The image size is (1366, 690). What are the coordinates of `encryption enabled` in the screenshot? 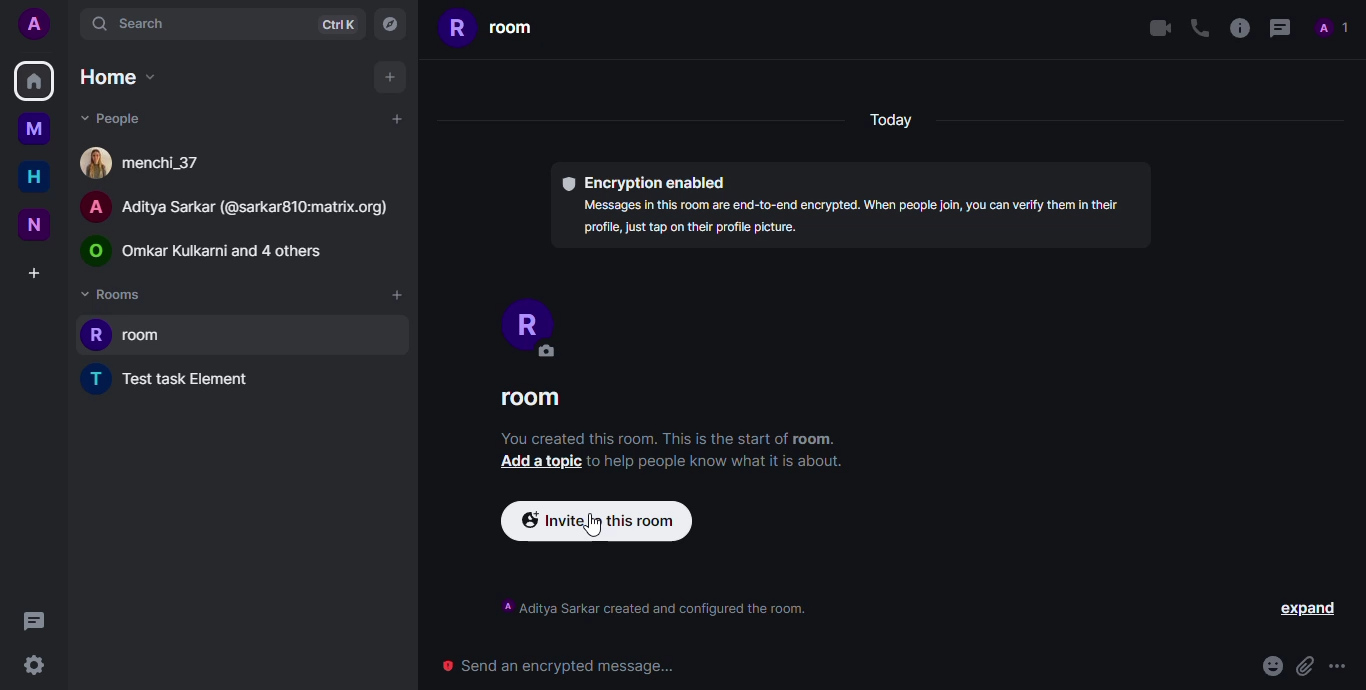 It's located at (646, 181).